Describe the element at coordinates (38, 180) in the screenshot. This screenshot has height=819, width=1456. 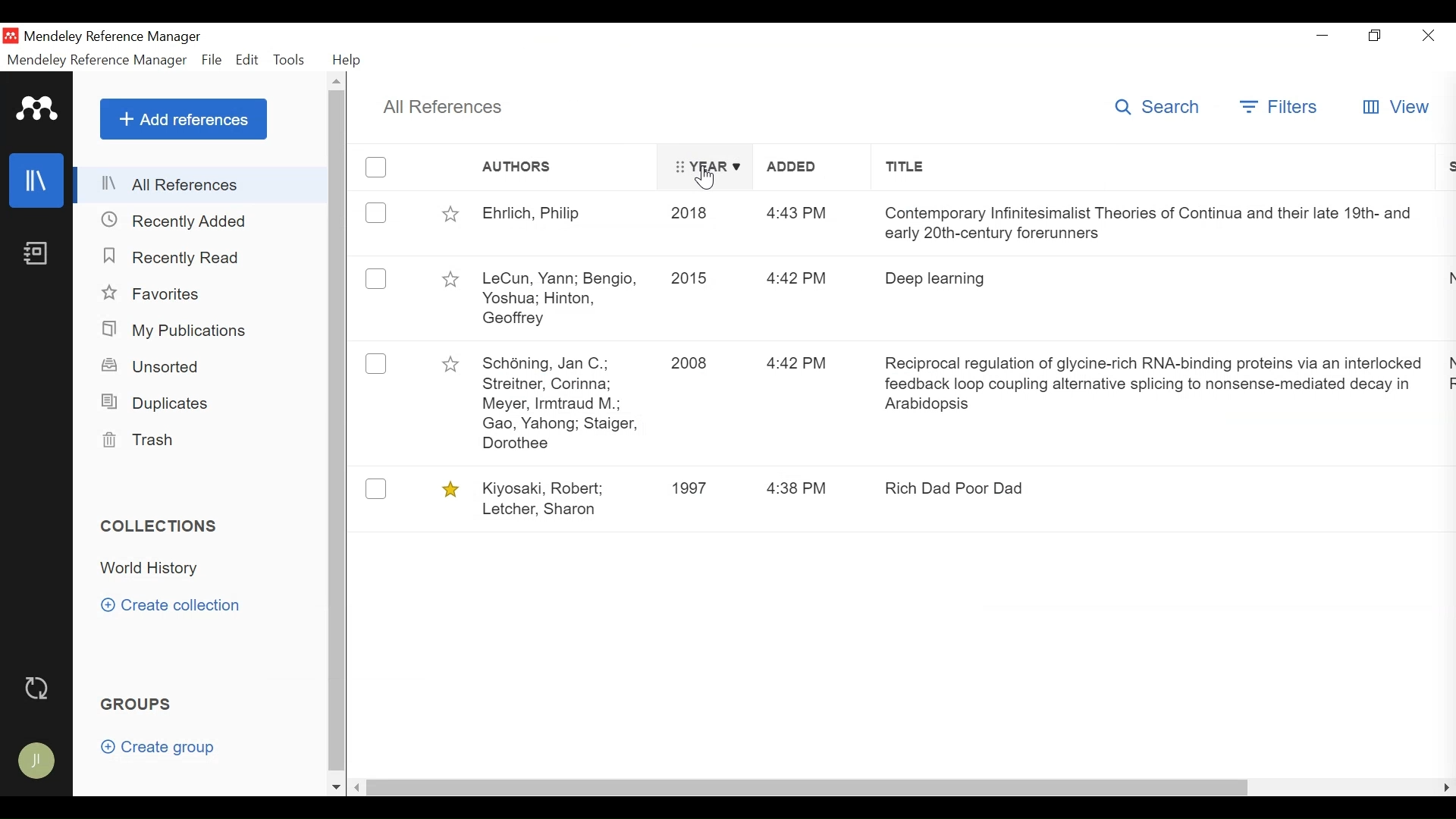
I see `Library` at that location.